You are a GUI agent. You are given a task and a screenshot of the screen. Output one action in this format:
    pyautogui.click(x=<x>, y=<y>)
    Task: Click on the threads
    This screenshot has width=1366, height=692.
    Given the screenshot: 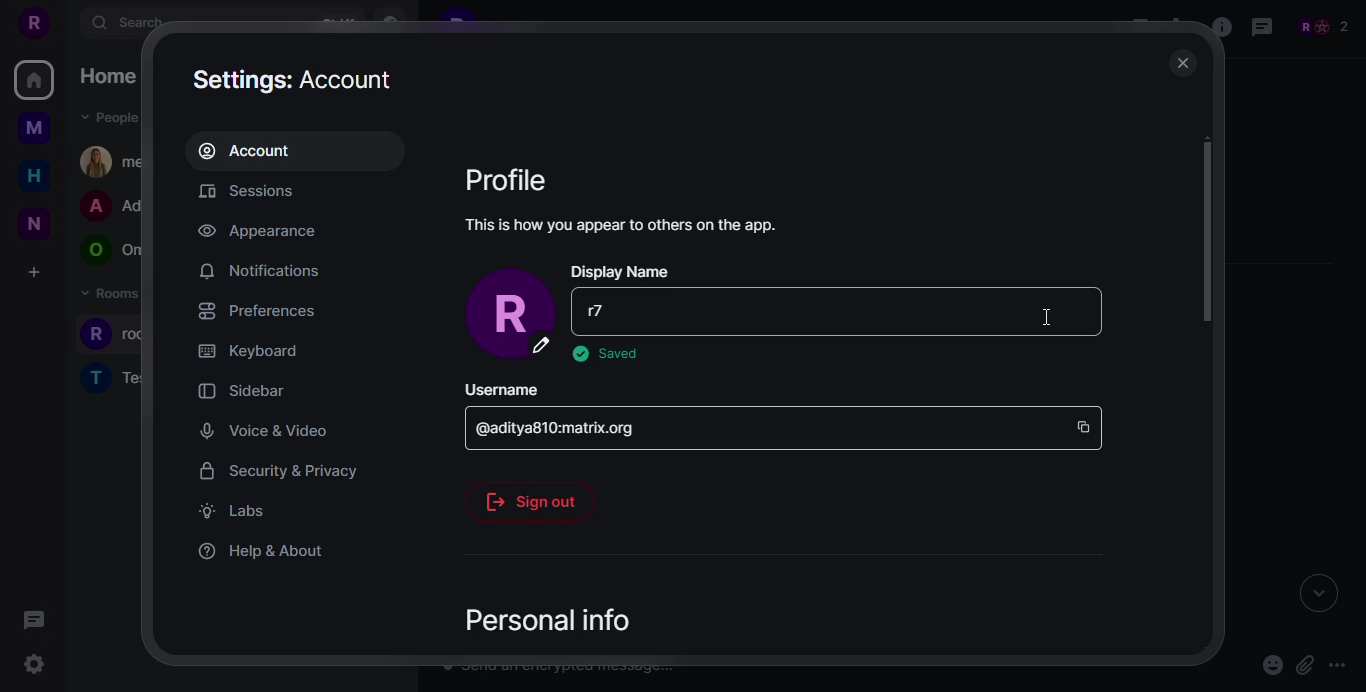 What is the action you would take?
    pyautogui.click(x=33, y=619)
    